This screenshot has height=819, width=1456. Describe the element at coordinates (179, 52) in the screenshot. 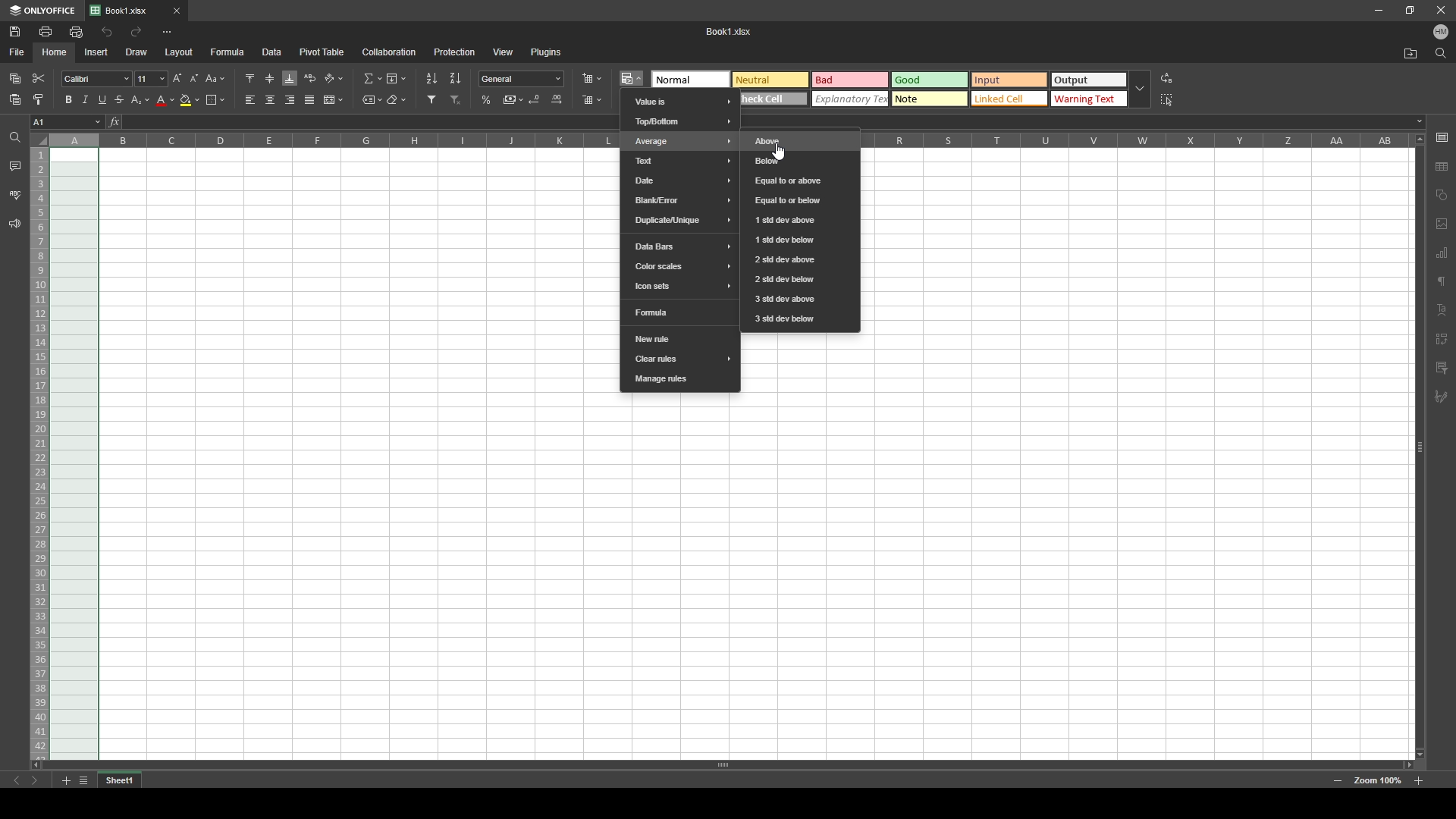

I see `layout` at that location.